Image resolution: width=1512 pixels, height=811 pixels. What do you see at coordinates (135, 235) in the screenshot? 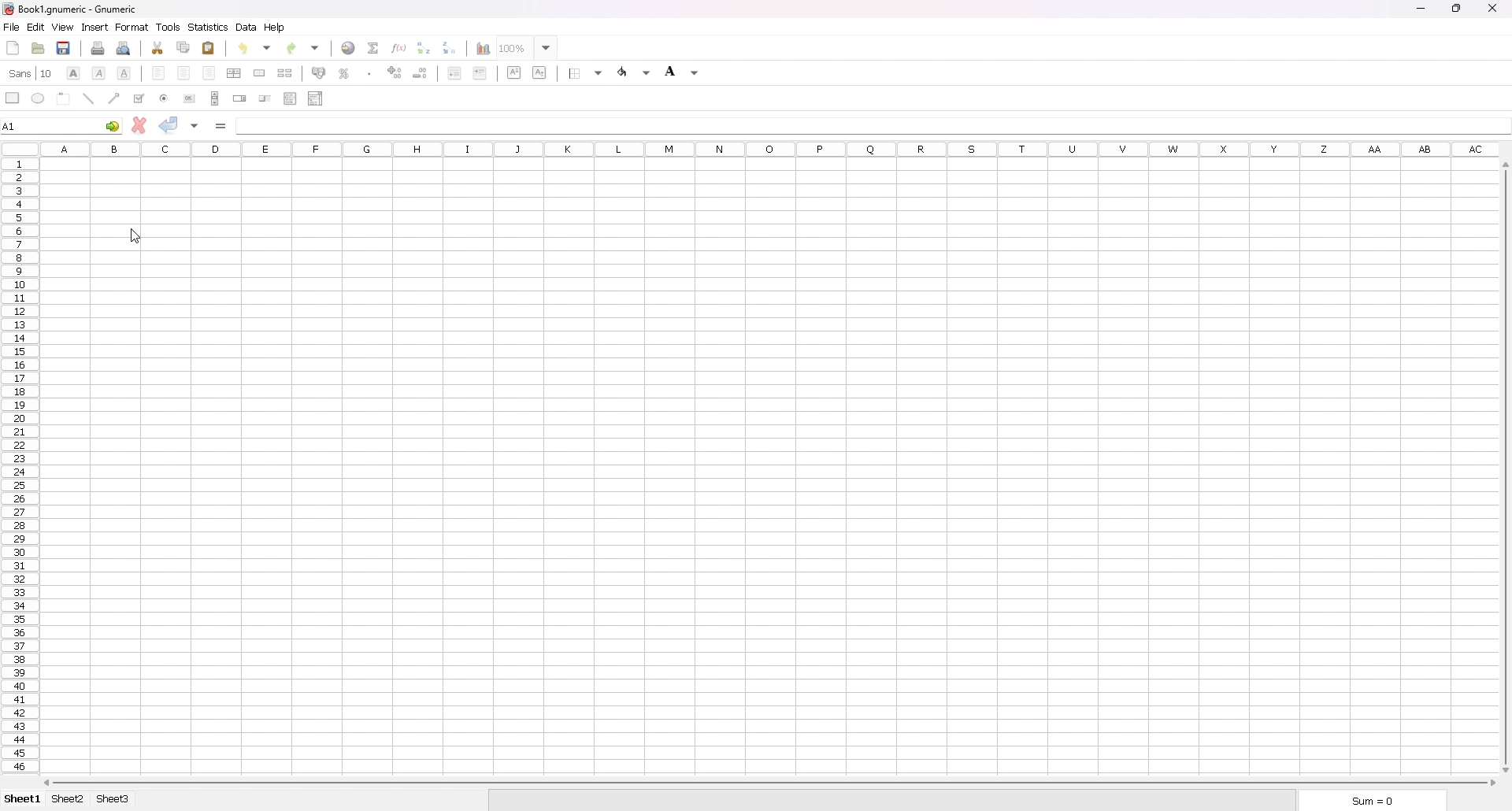
I see `cursor` at bounding box center [135, 235].